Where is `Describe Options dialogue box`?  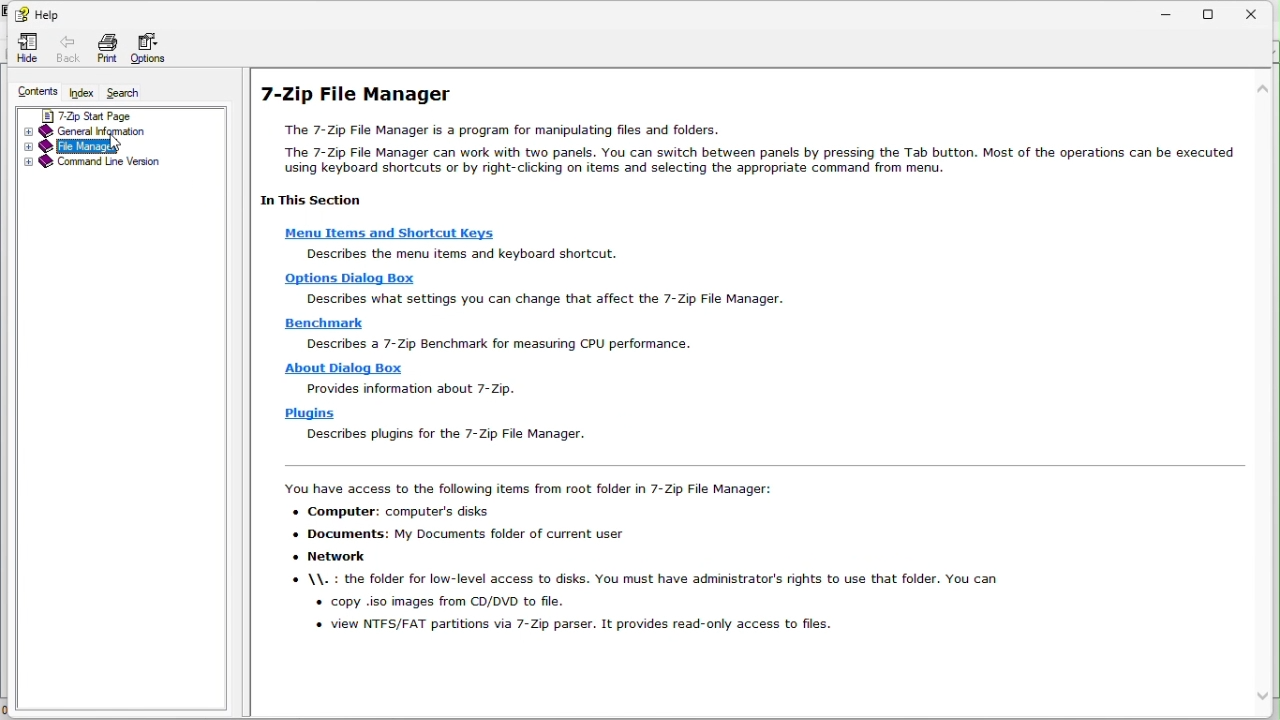
Describe Options dialogue box is located at coordinates (538, 299).